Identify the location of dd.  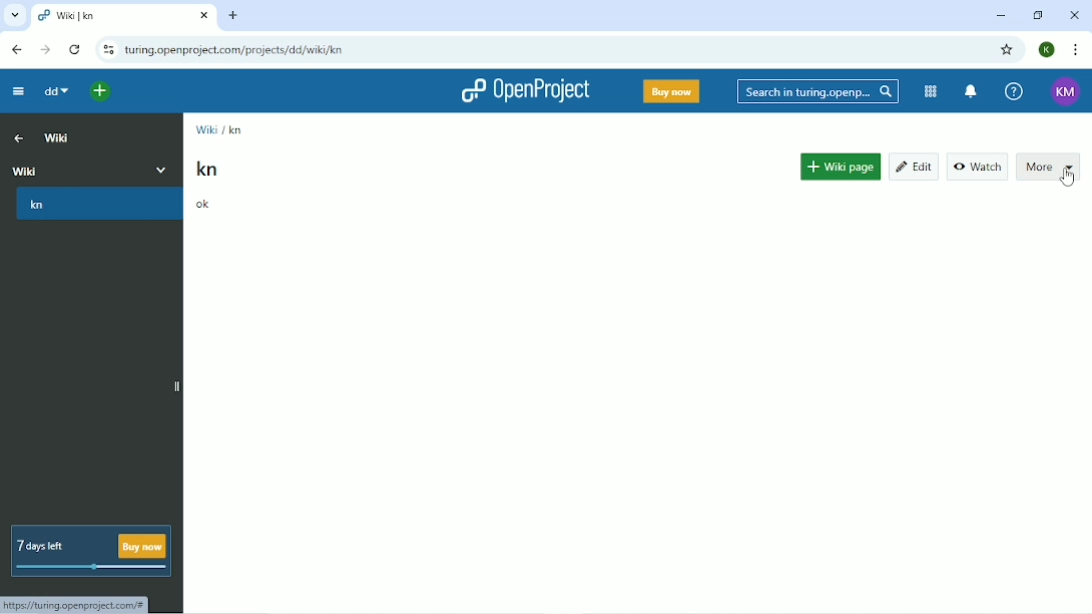
(55, 93).